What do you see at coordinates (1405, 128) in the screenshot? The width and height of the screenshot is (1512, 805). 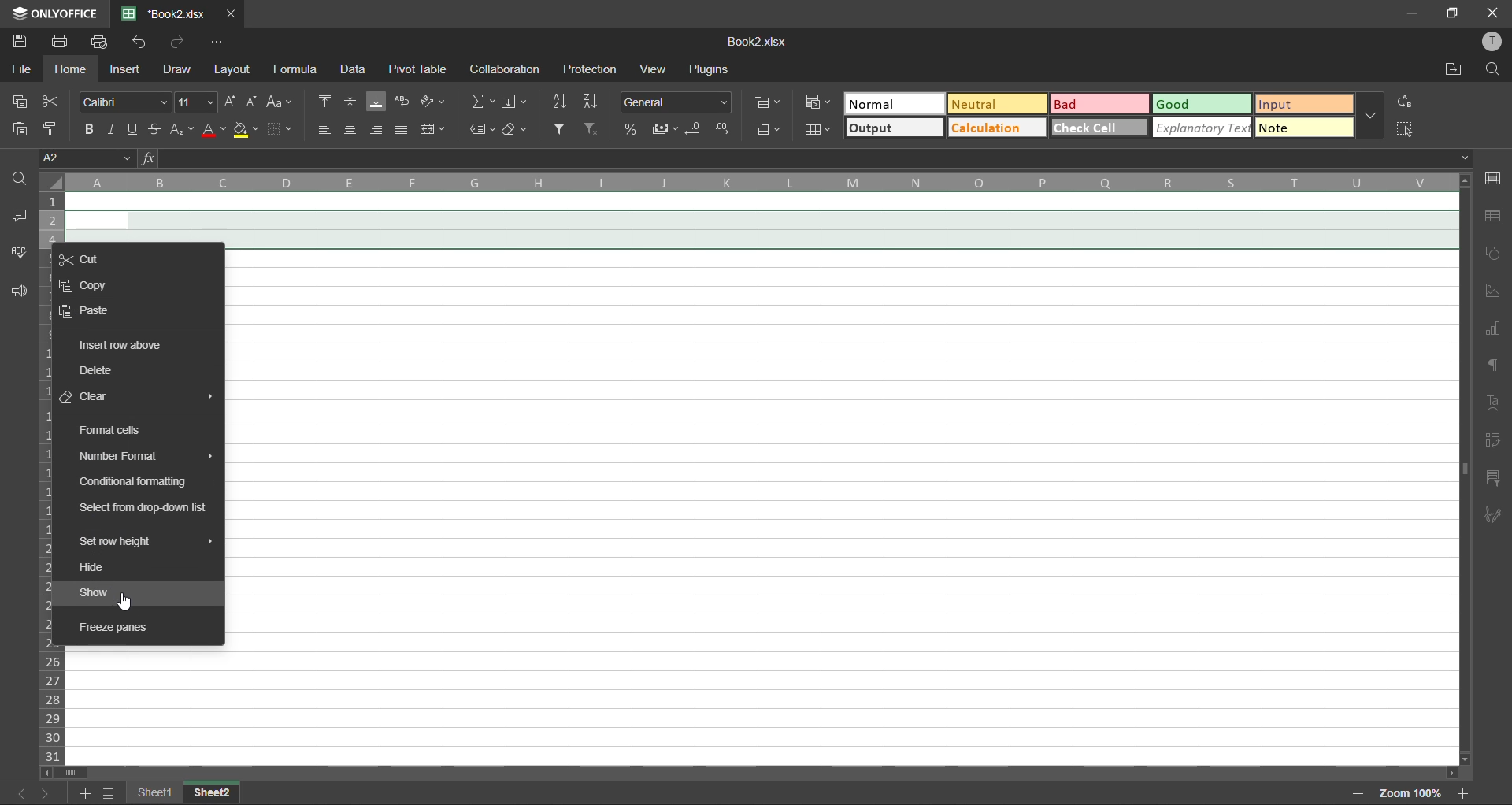 I see `select all` at bounding box center [1405, 128].